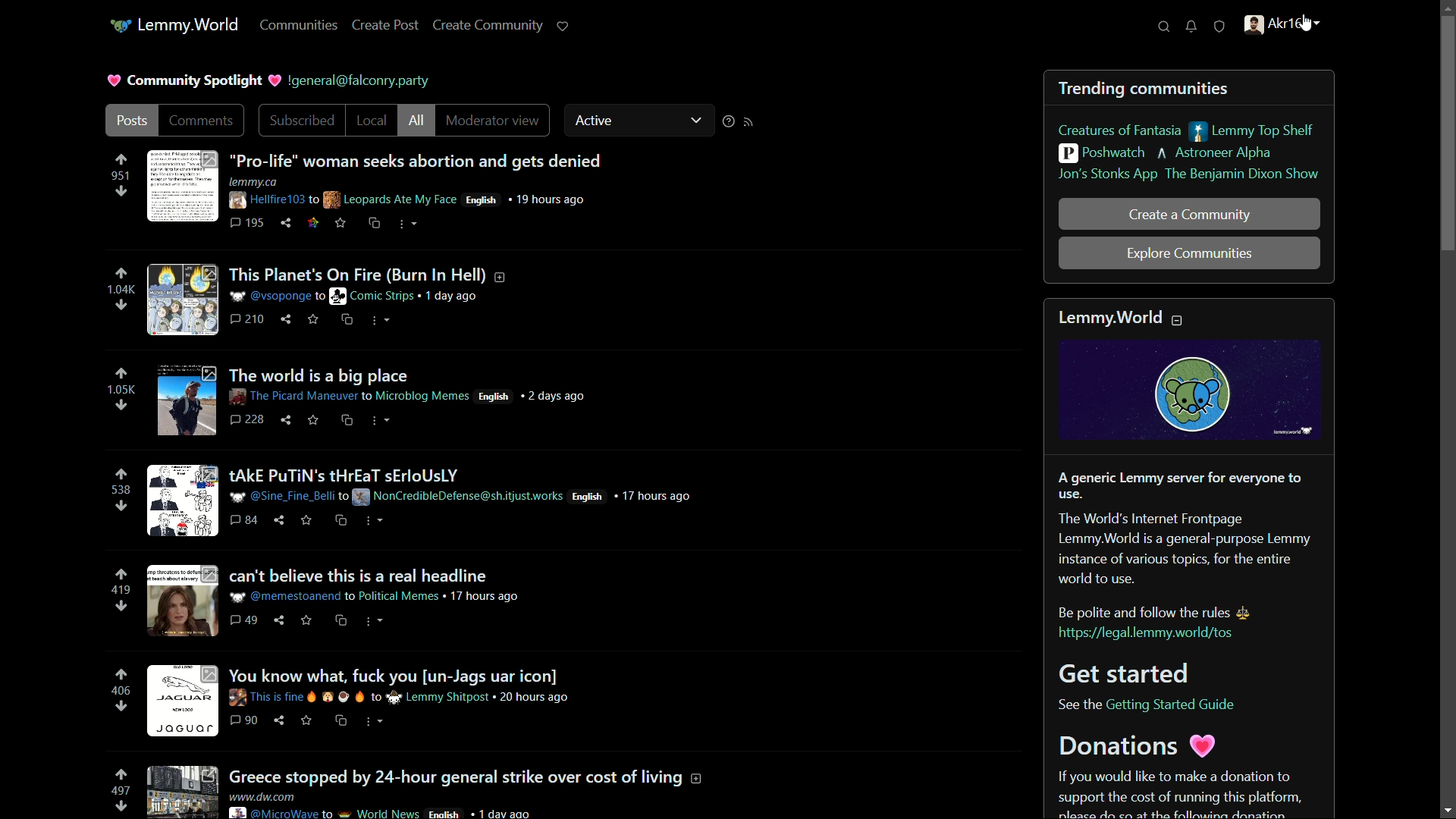 The image size is (1456, 819). What do you see at coordinates (425, 788) in the screenshot?
I see `post-7` at bounding box center [425, 788].